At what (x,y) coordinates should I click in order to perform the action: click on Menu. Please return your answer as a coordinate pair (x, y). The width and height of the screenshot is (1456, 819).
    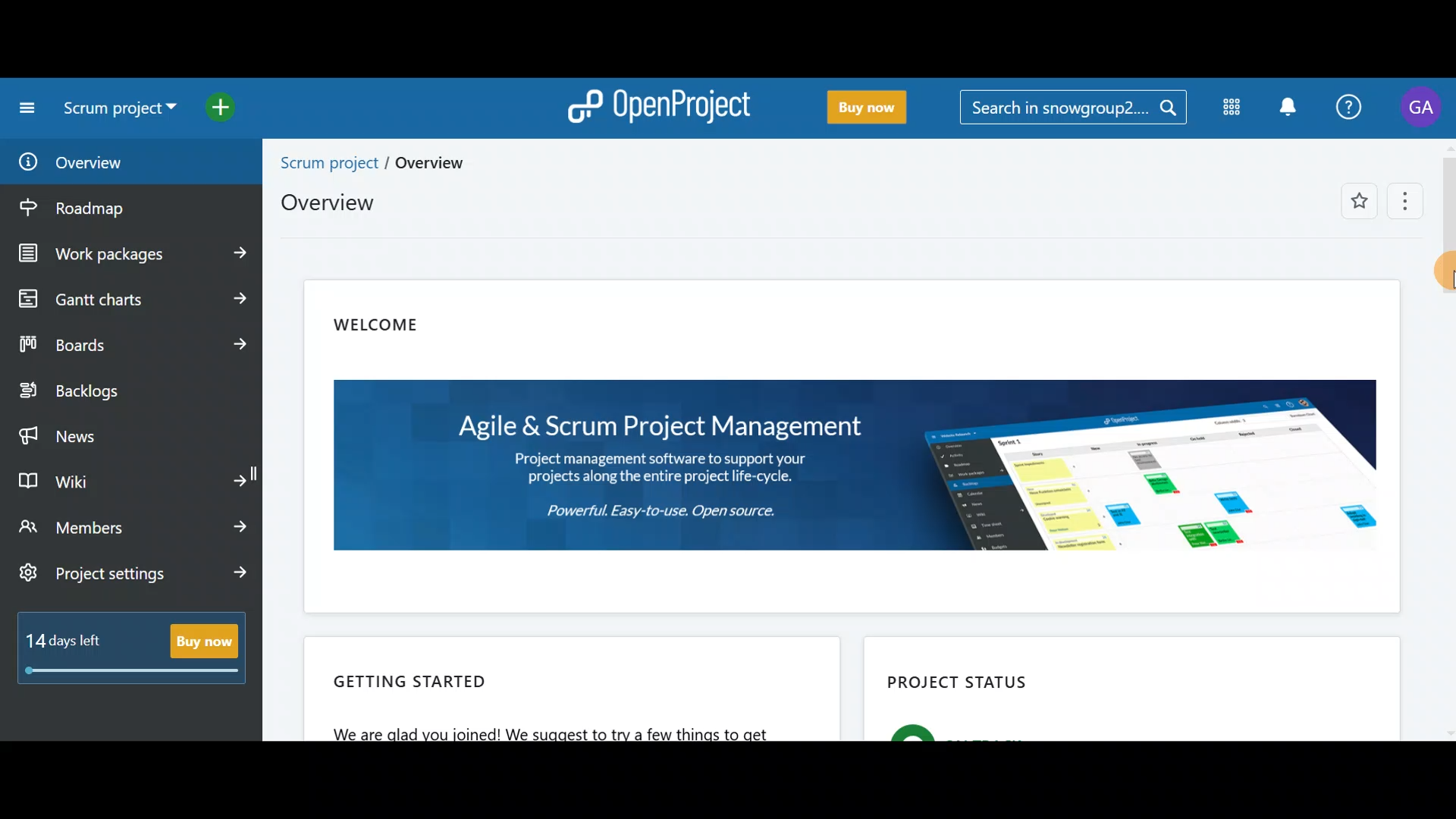
    Looking at the image, I should click on (1401, 203).